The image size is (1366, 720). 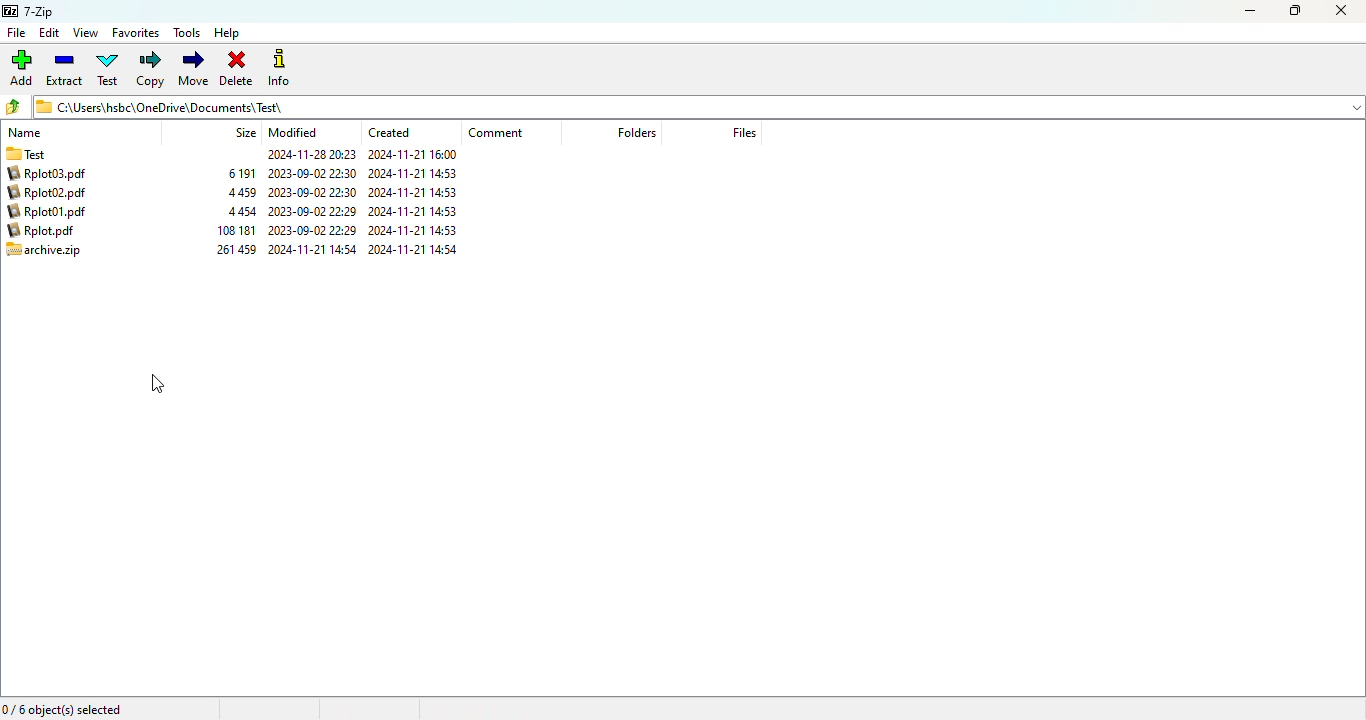 What do you see at coordinates (1357, 106) in the screenshot?
I see `dropdown` at bounding box center [1357, 106].